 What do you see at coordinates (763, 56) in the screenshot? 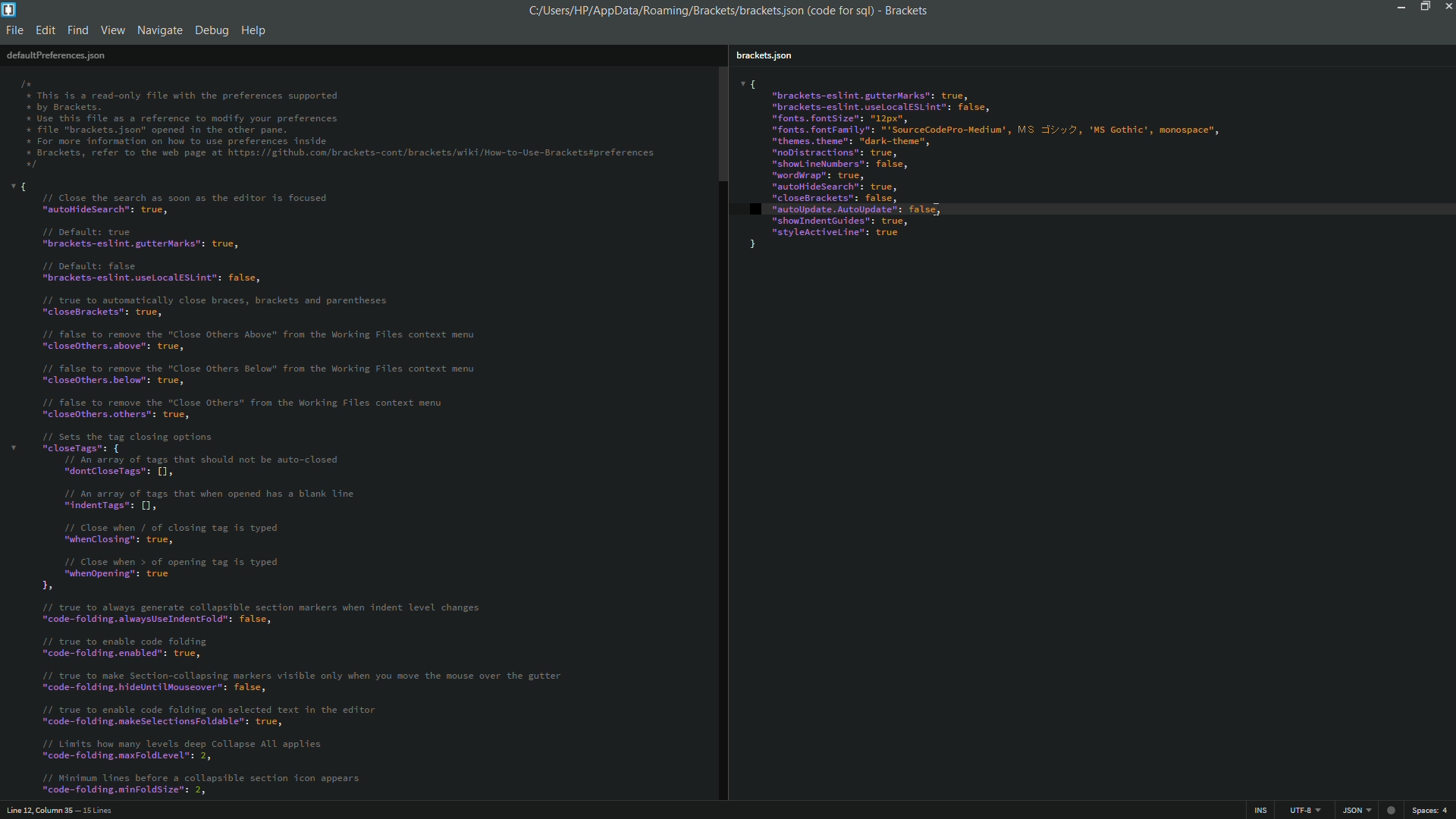
I see `brackets.json` at bounding box center [763, 56].